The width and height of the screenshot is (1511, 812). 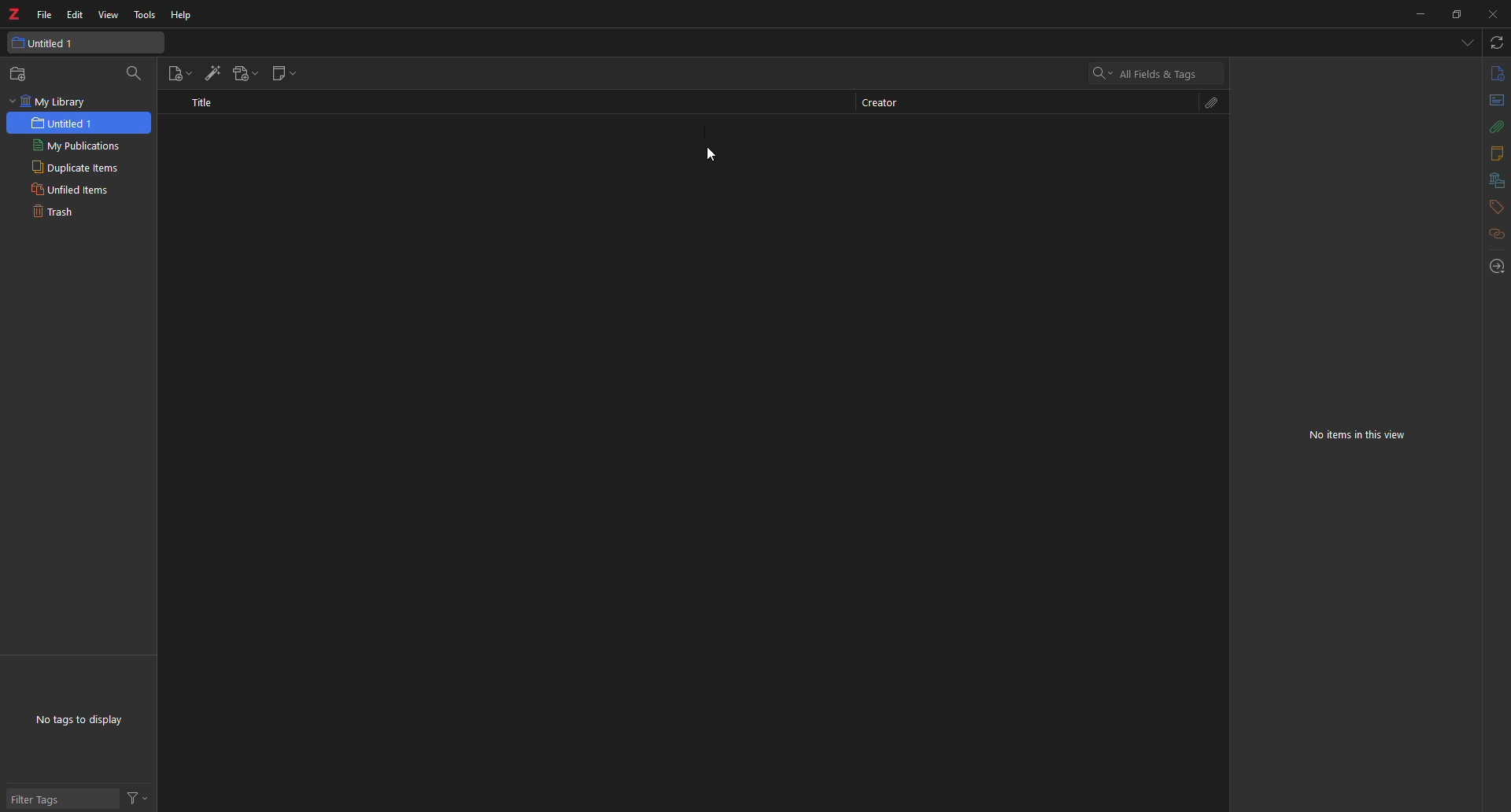 I want to click on help, so click(x=183, y=16).